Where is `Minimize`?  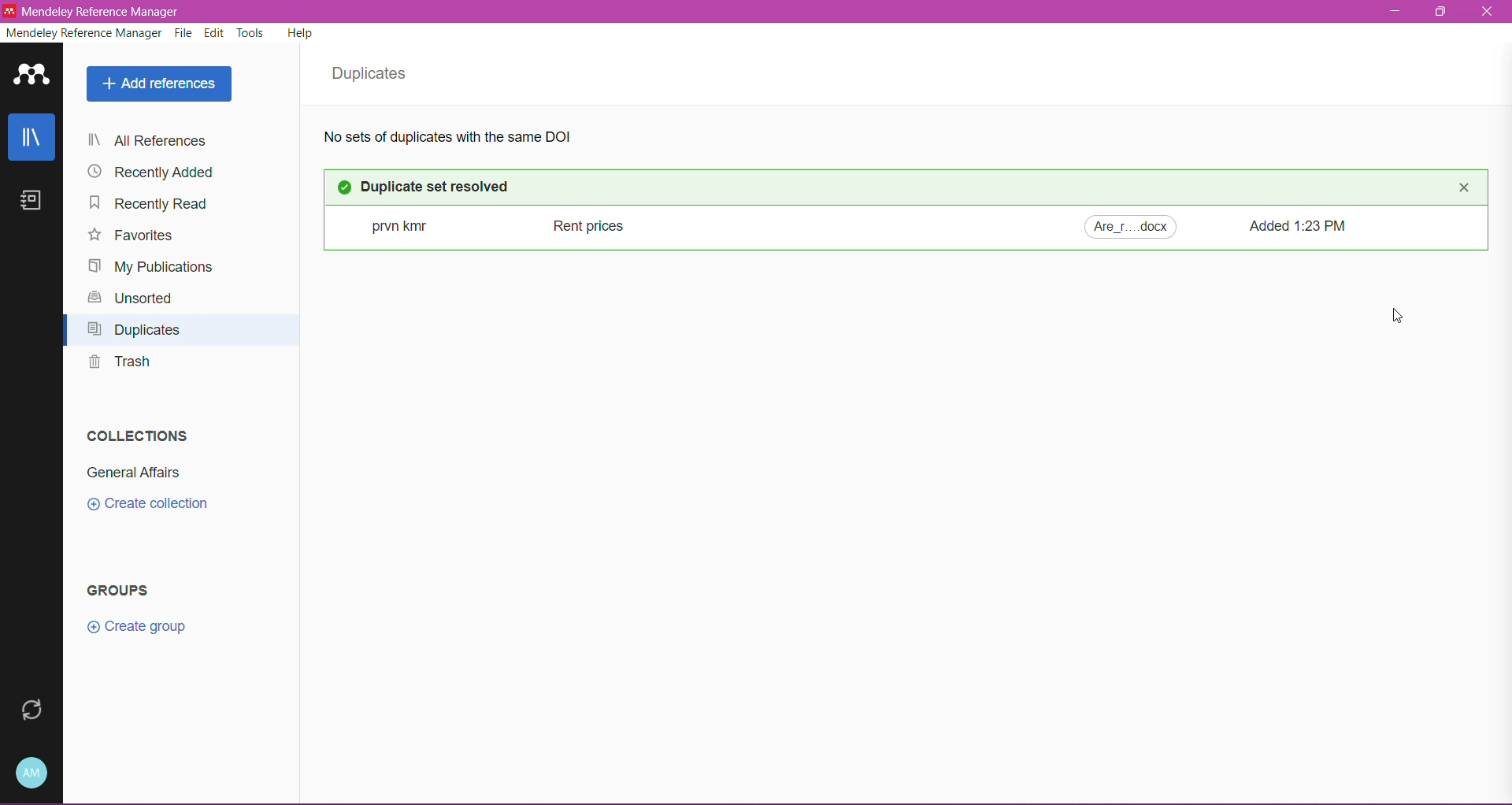
Minimize is located at coordinates (1392, 11).